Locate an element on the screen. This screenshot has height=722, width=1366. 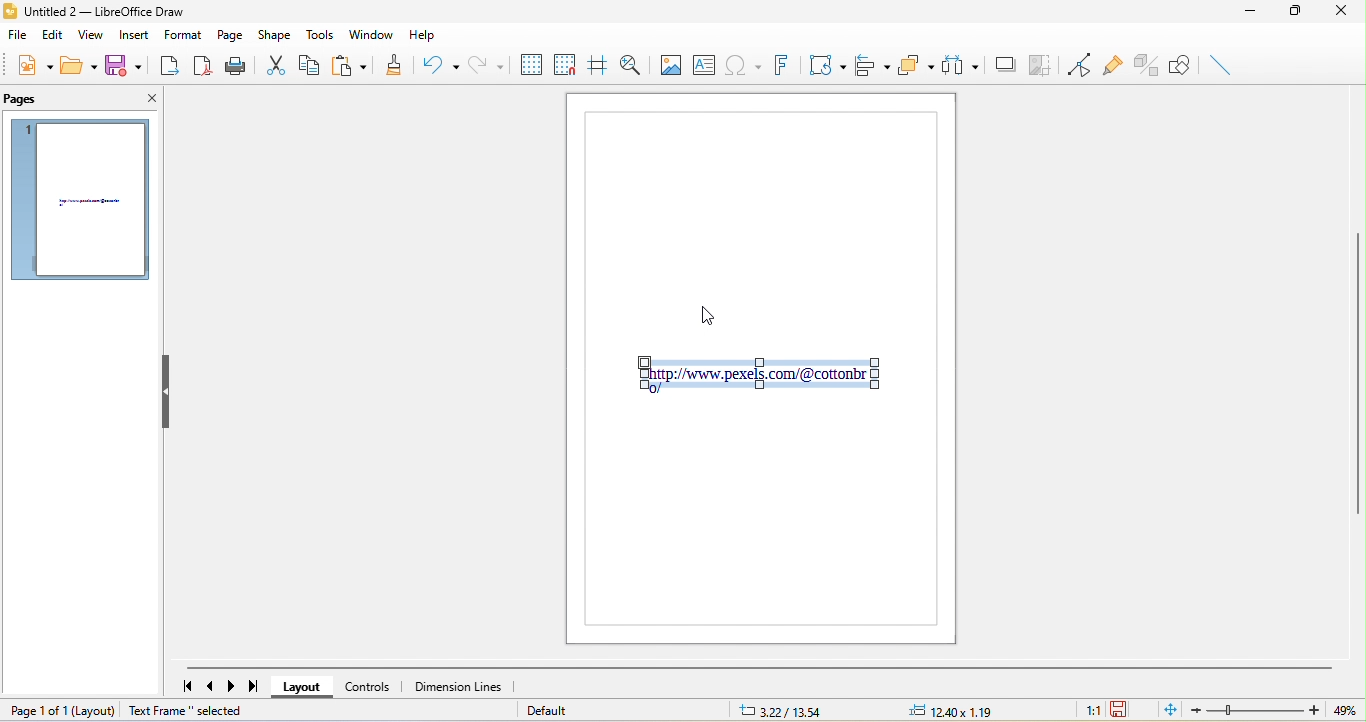
close is located at coordinates (147, 97).